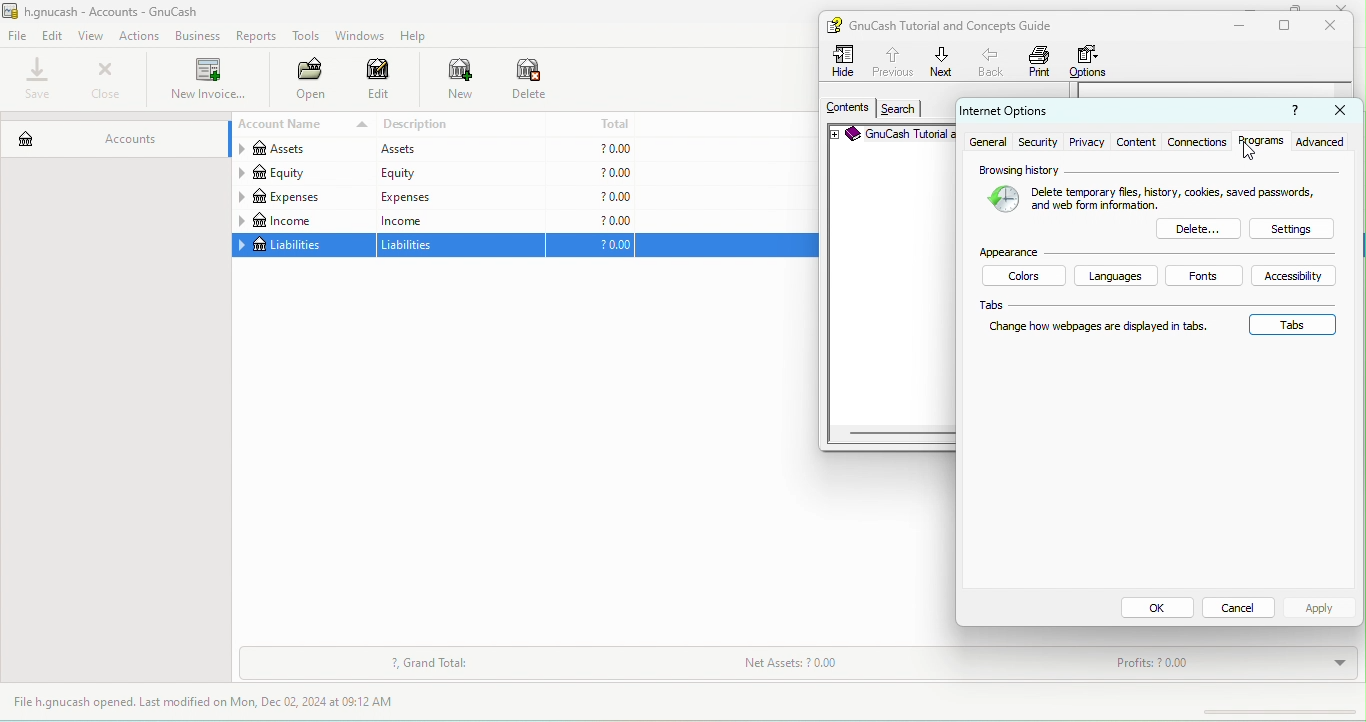 Image resolution: width=1366 pixels, height=722 pixels. What do you see at coordinates (94, 36) in the screenshot?
I see `view` at bounding box center [94, 36].